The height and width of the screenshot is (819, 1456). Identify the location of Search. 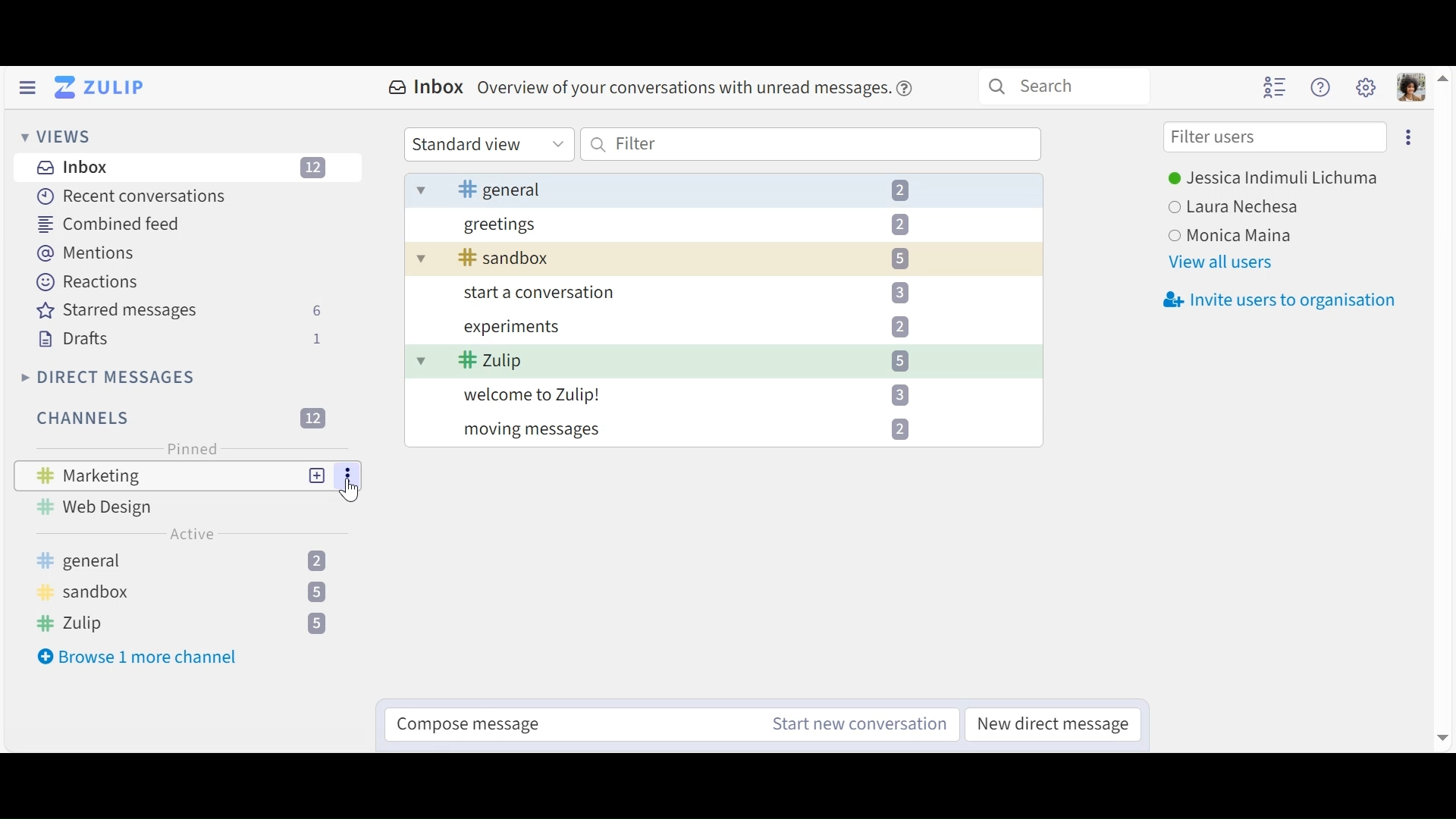
(1063, 86).